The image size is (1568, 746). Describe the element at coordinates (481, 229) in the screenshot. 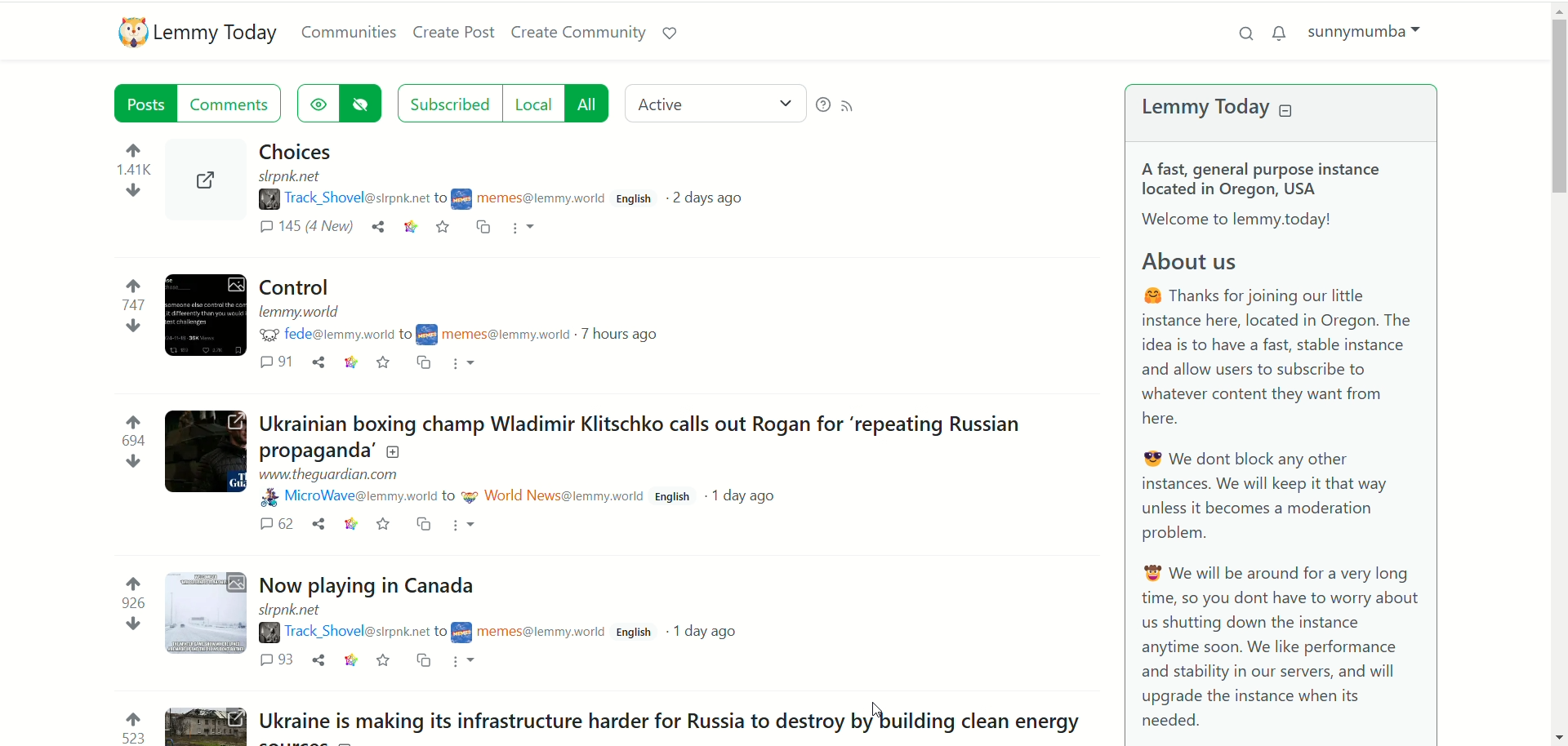

I see `cross post` at that location.